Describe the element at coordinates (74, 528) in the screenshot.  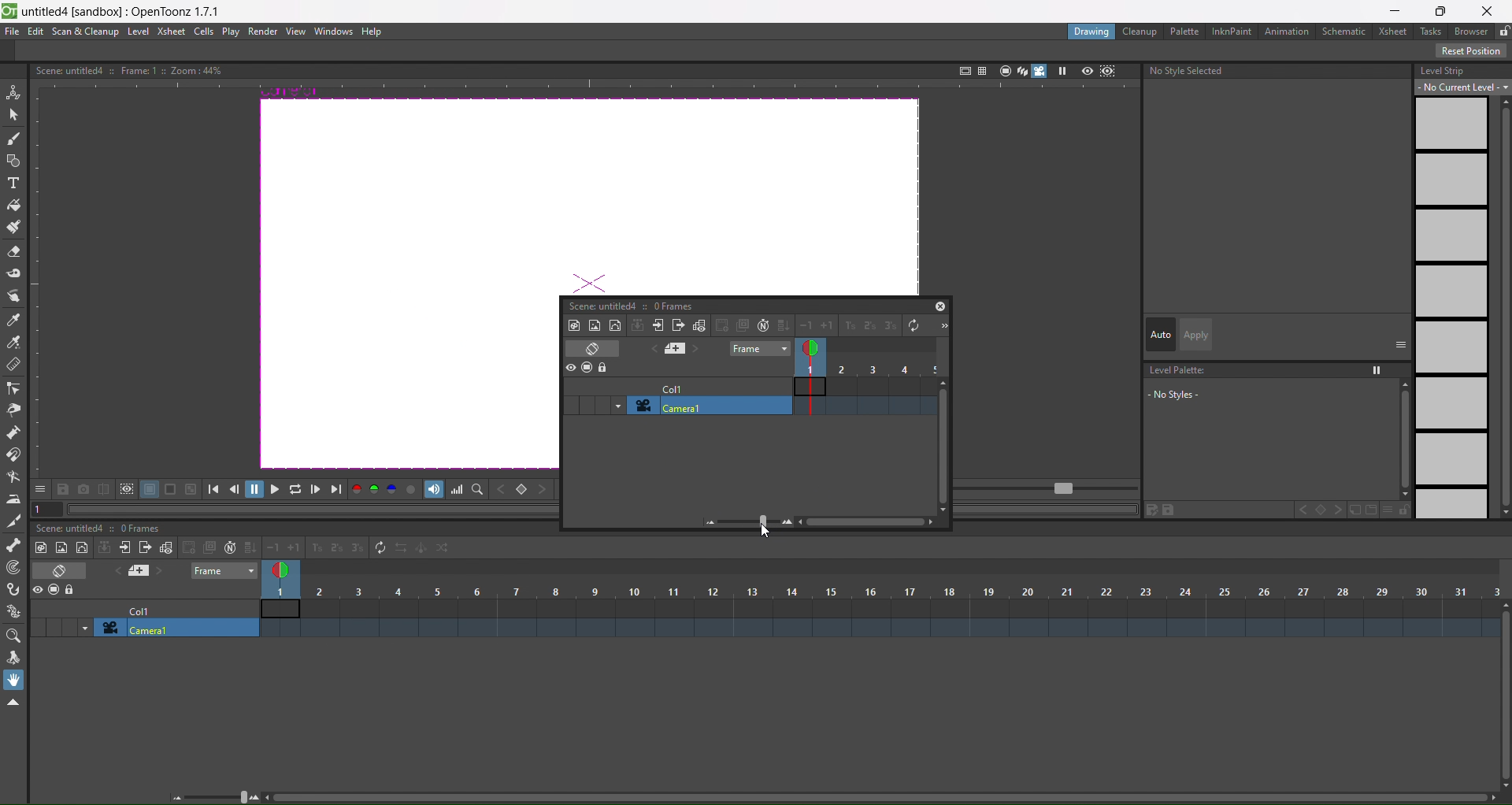
I see `scene: untitled4` at that location.